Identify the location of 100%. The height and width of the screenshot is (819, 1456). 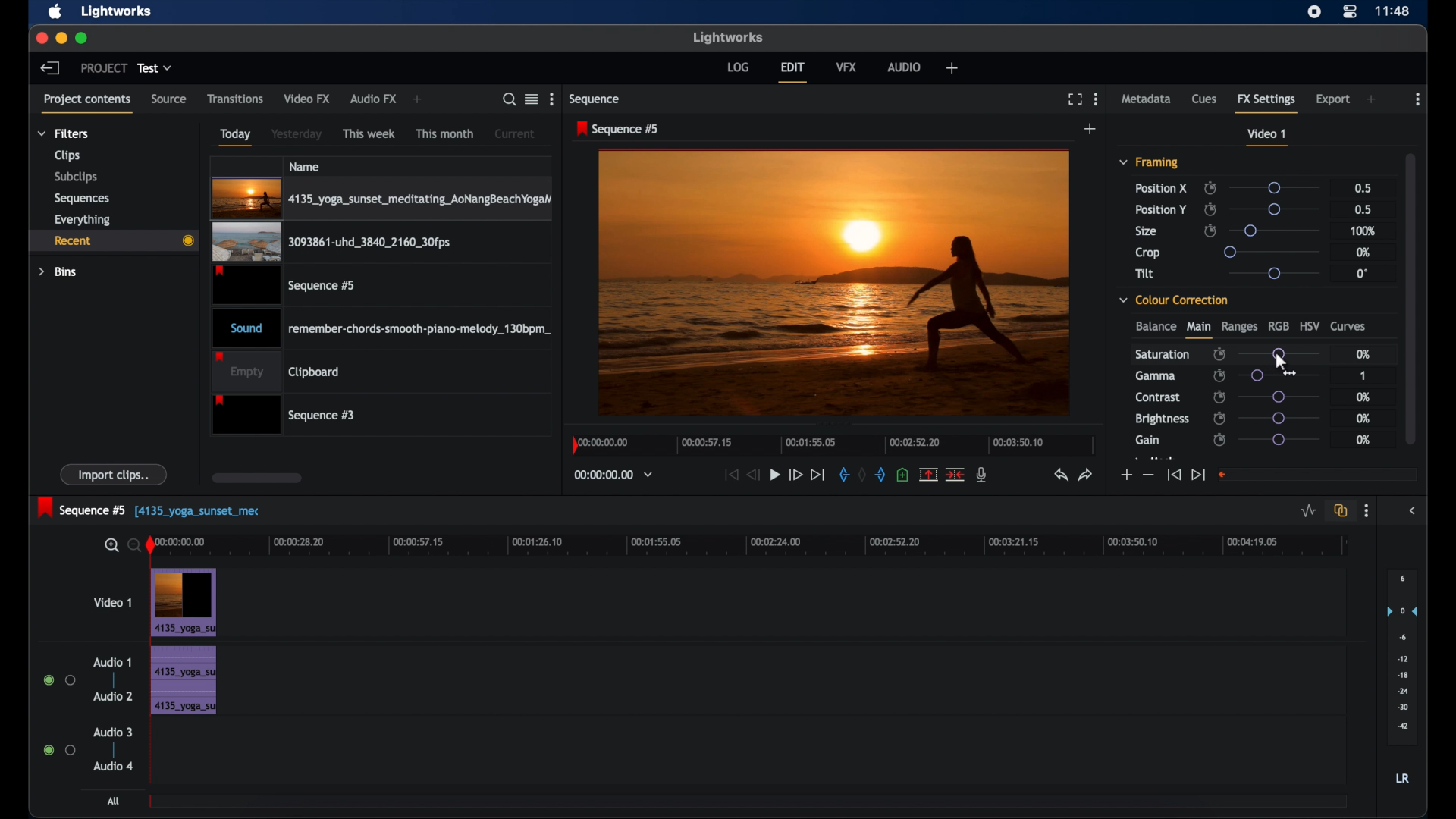
(1363, 231).